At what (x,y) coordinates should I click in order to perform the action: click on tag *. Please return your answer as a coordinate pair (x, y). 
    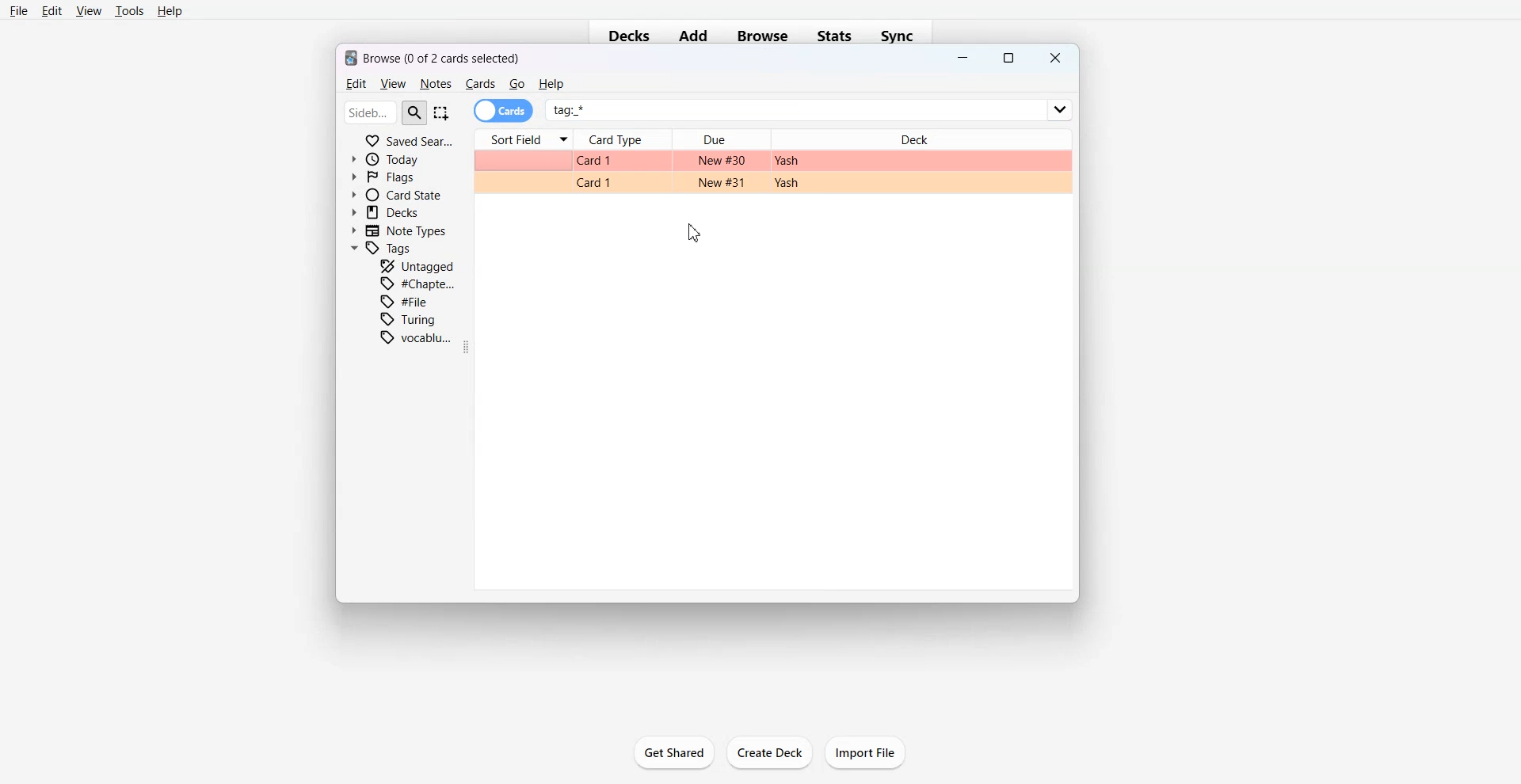
    Looking at the image, I should click on (810, 104).